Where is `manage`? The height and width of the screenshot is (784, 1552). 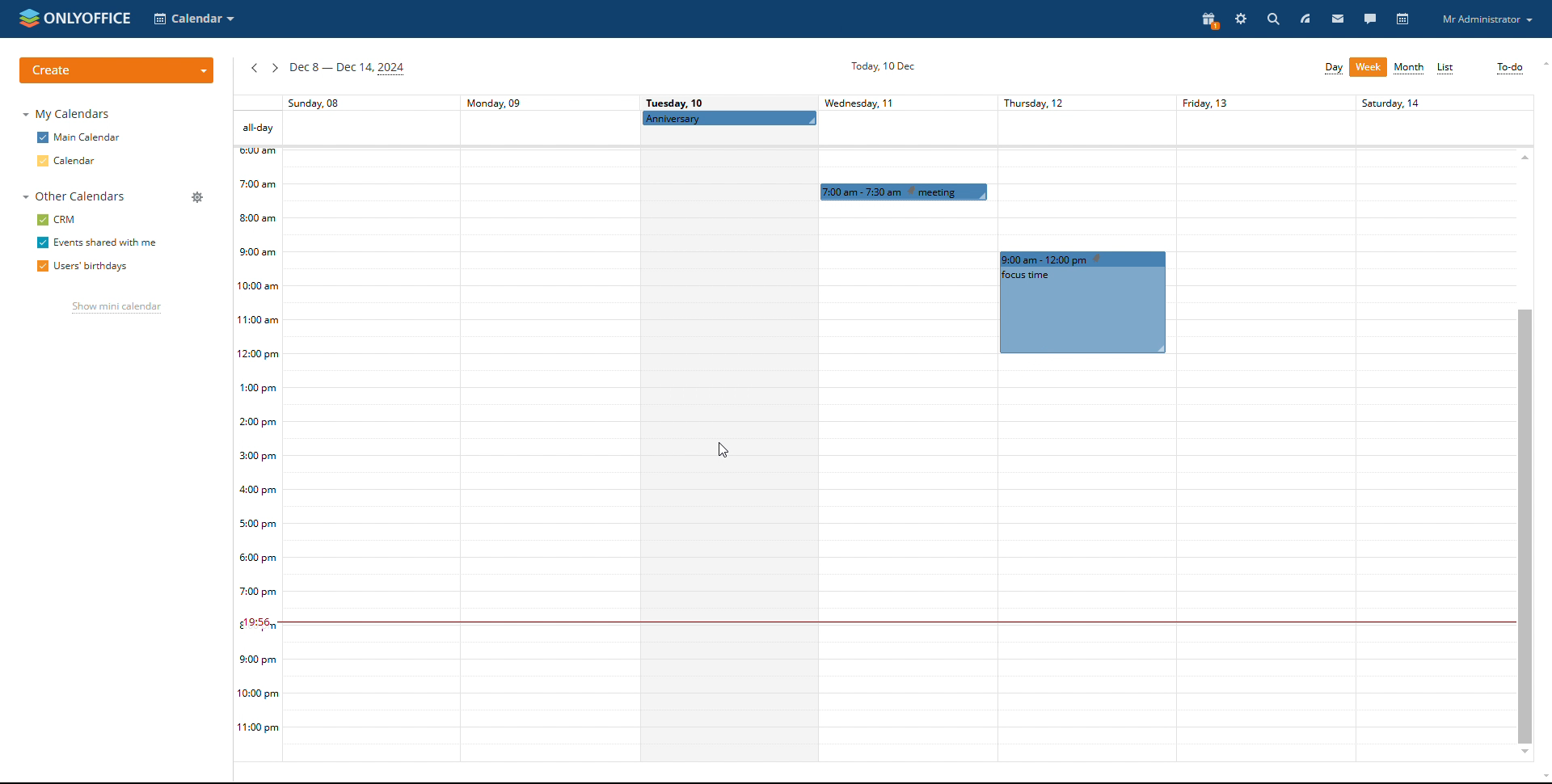 manage is located at coordinates (198, 197).